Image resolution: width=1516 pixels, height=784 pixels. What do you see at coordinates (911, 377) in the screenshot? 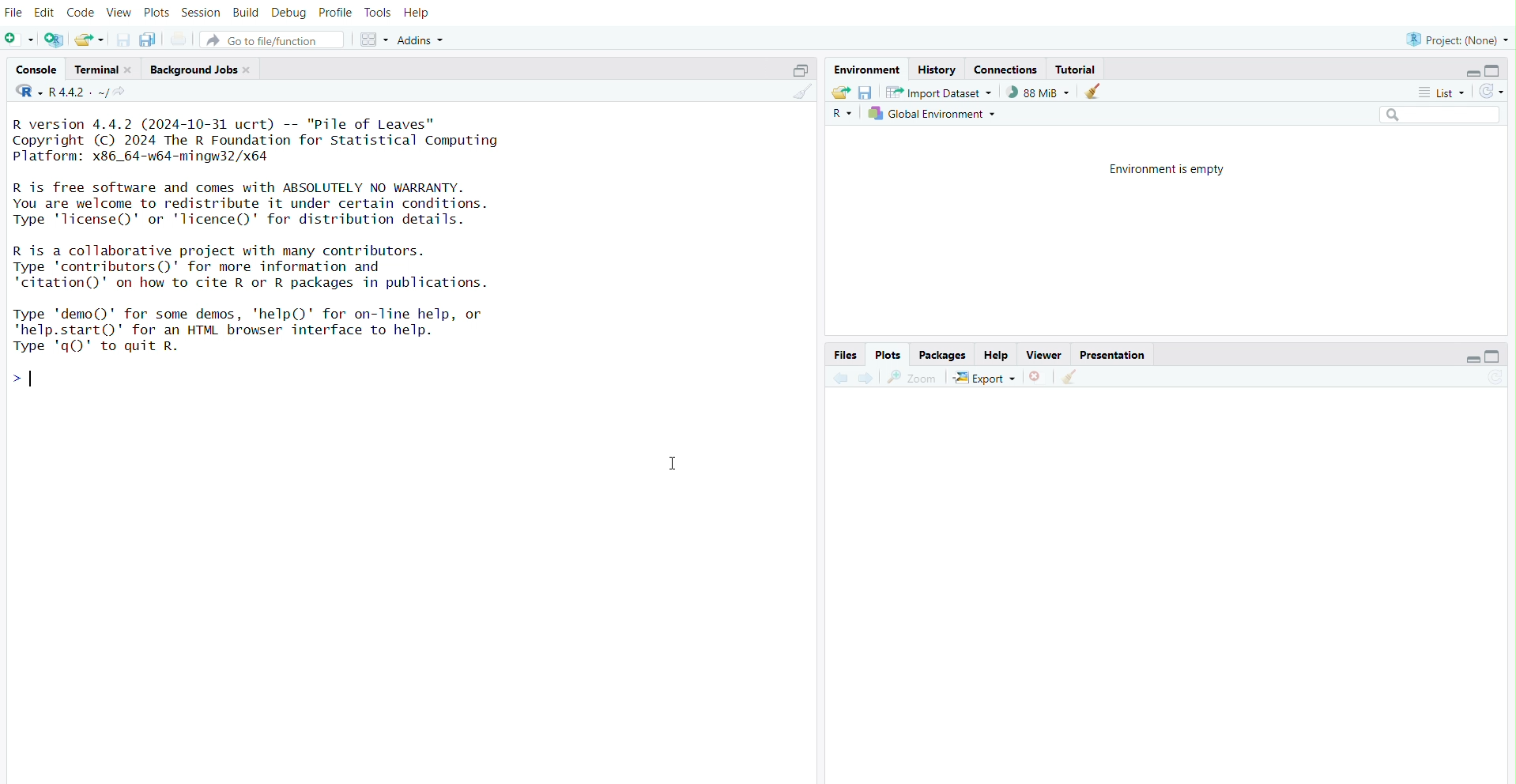
I see `view a larger version of the plot in new window` at bounding box center [911, 377].